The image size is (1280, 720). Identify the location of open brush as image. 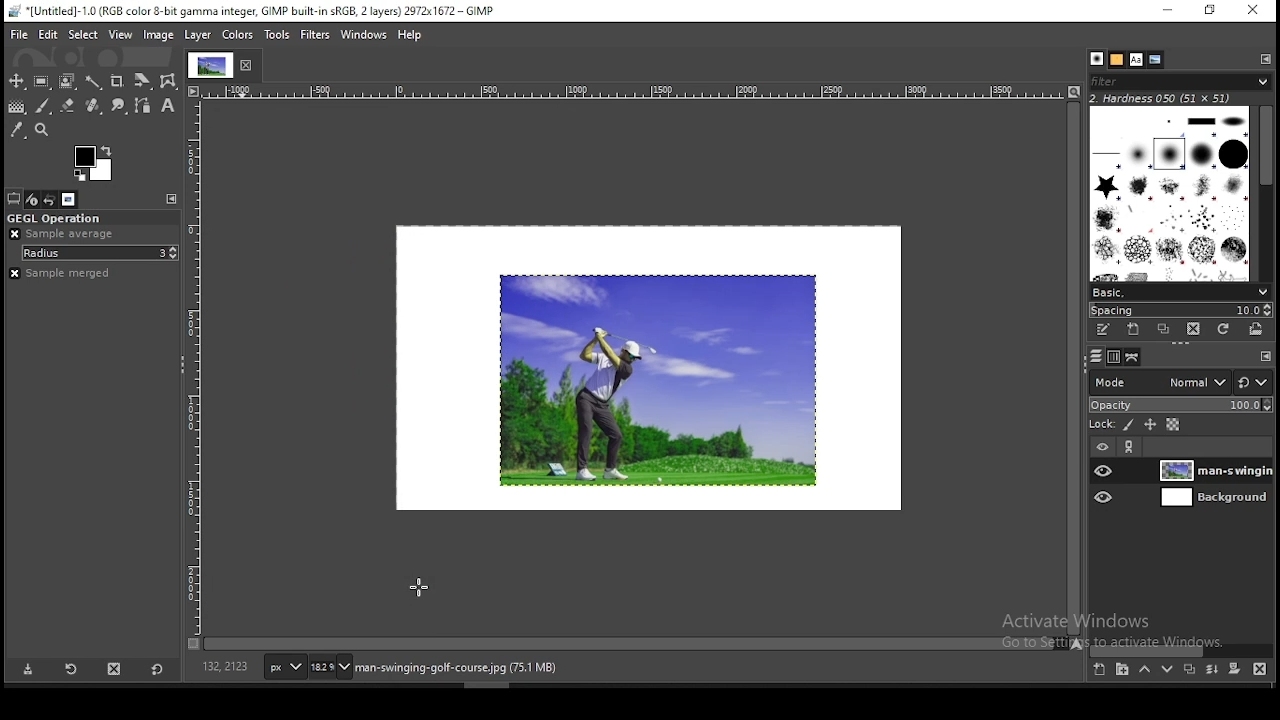
(1256, 329).